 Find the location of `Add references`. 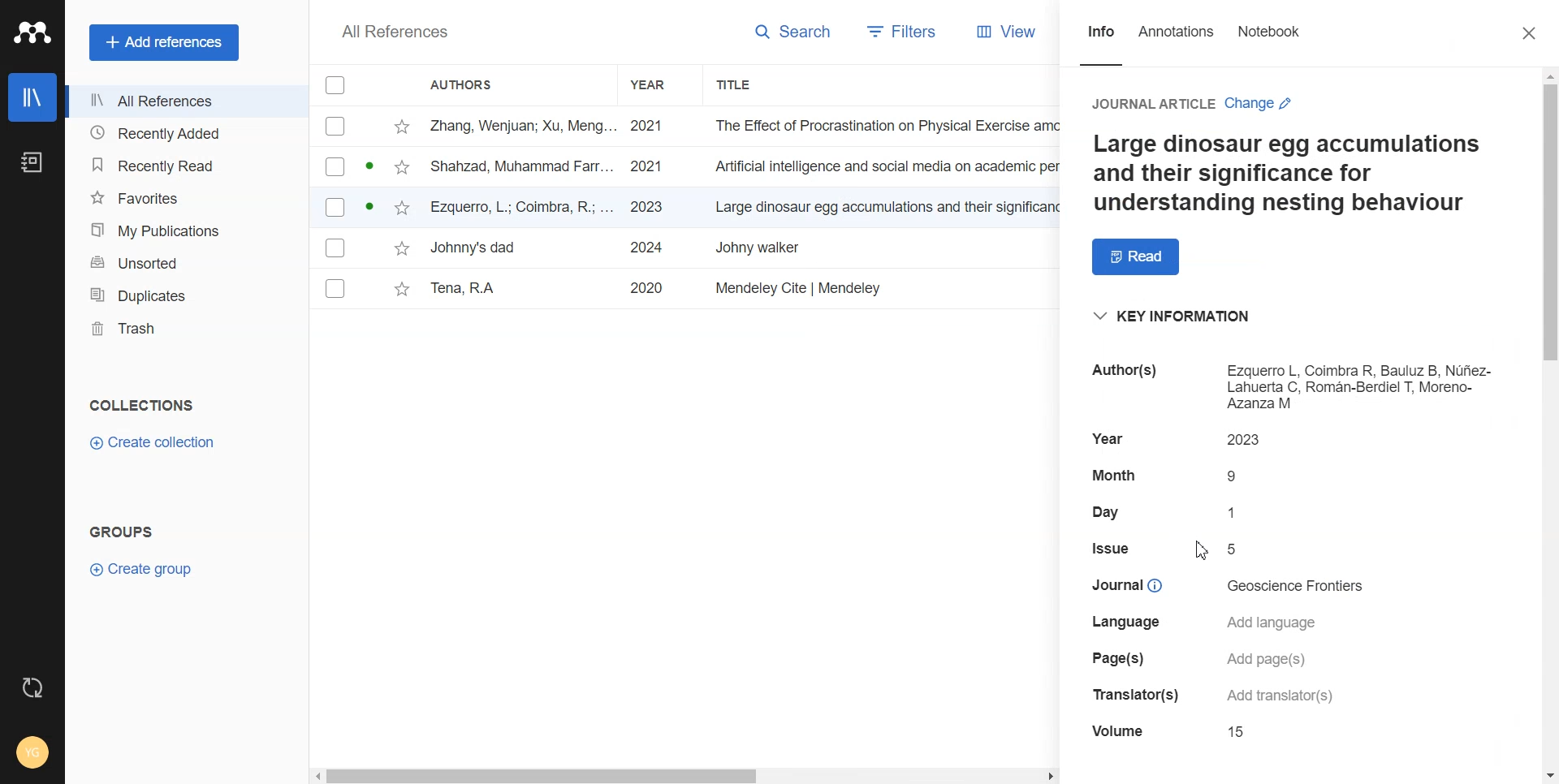

Add references is located at coordinates (164, 42).